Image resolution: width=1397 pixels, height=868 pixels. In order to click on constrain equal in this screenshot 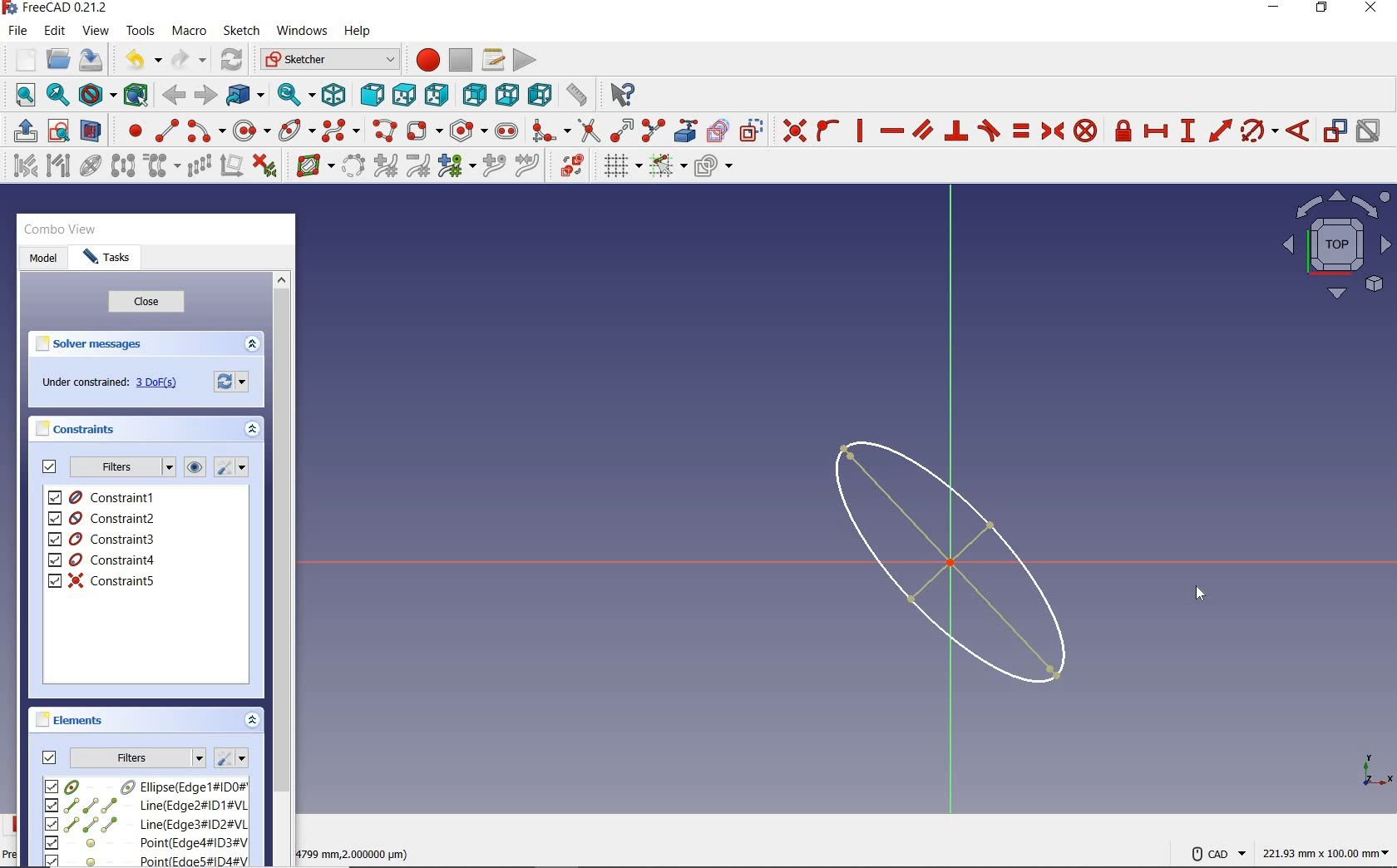, I will do `click(1022, 131)`.